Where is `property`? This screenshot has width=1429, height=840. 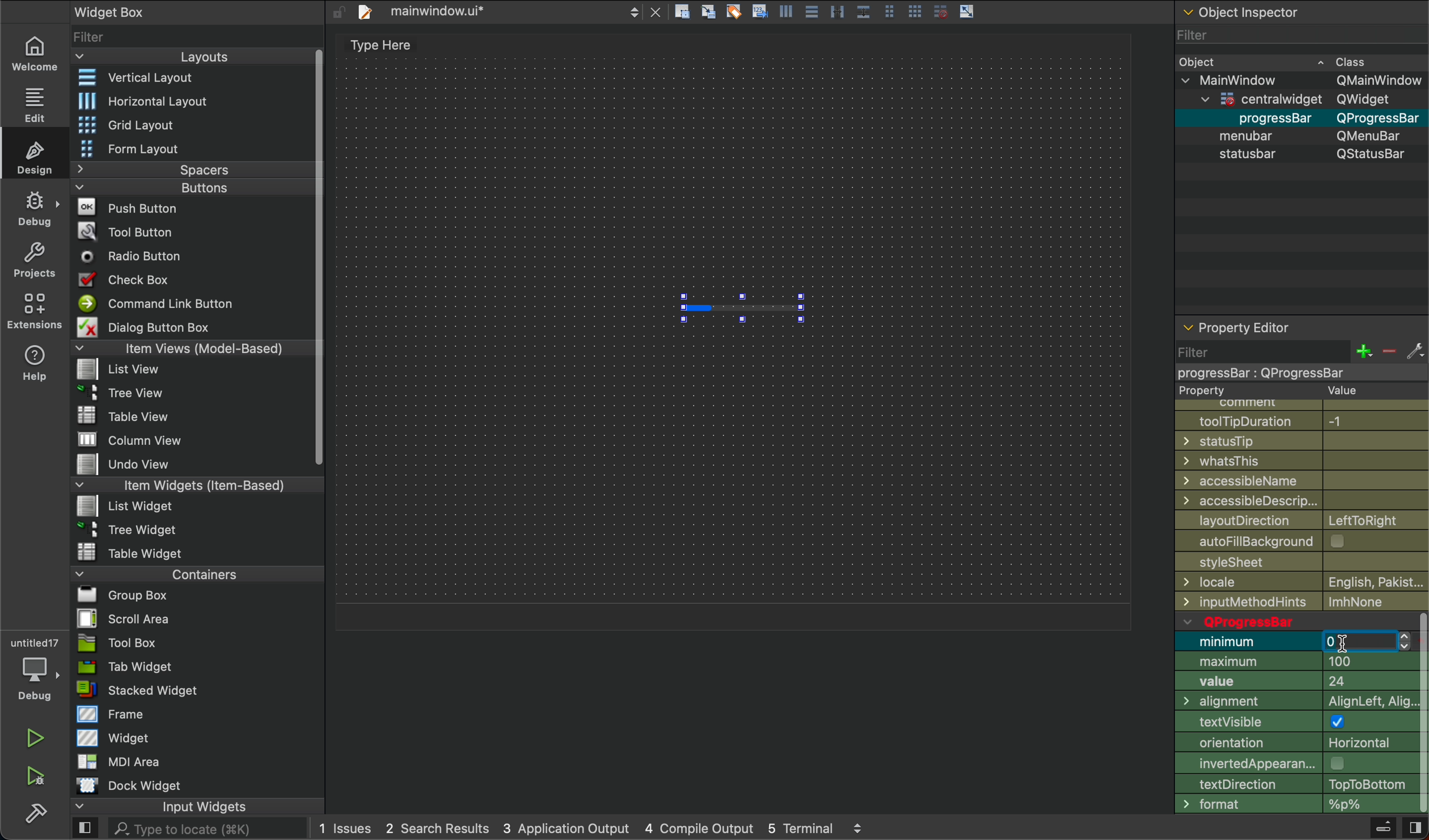 property is located at coordinates (1280, 391).